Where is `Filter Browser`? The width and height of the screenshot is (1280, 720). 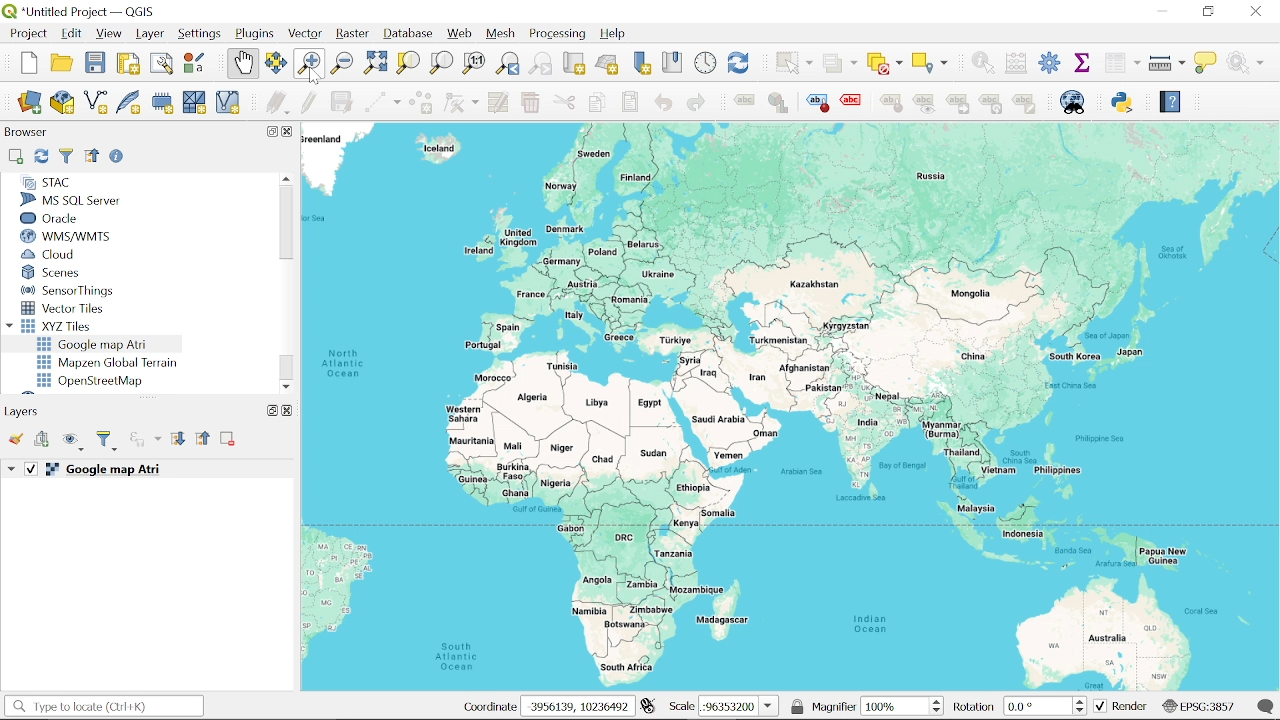 Filter Browser is located at coordinates (66, 156).